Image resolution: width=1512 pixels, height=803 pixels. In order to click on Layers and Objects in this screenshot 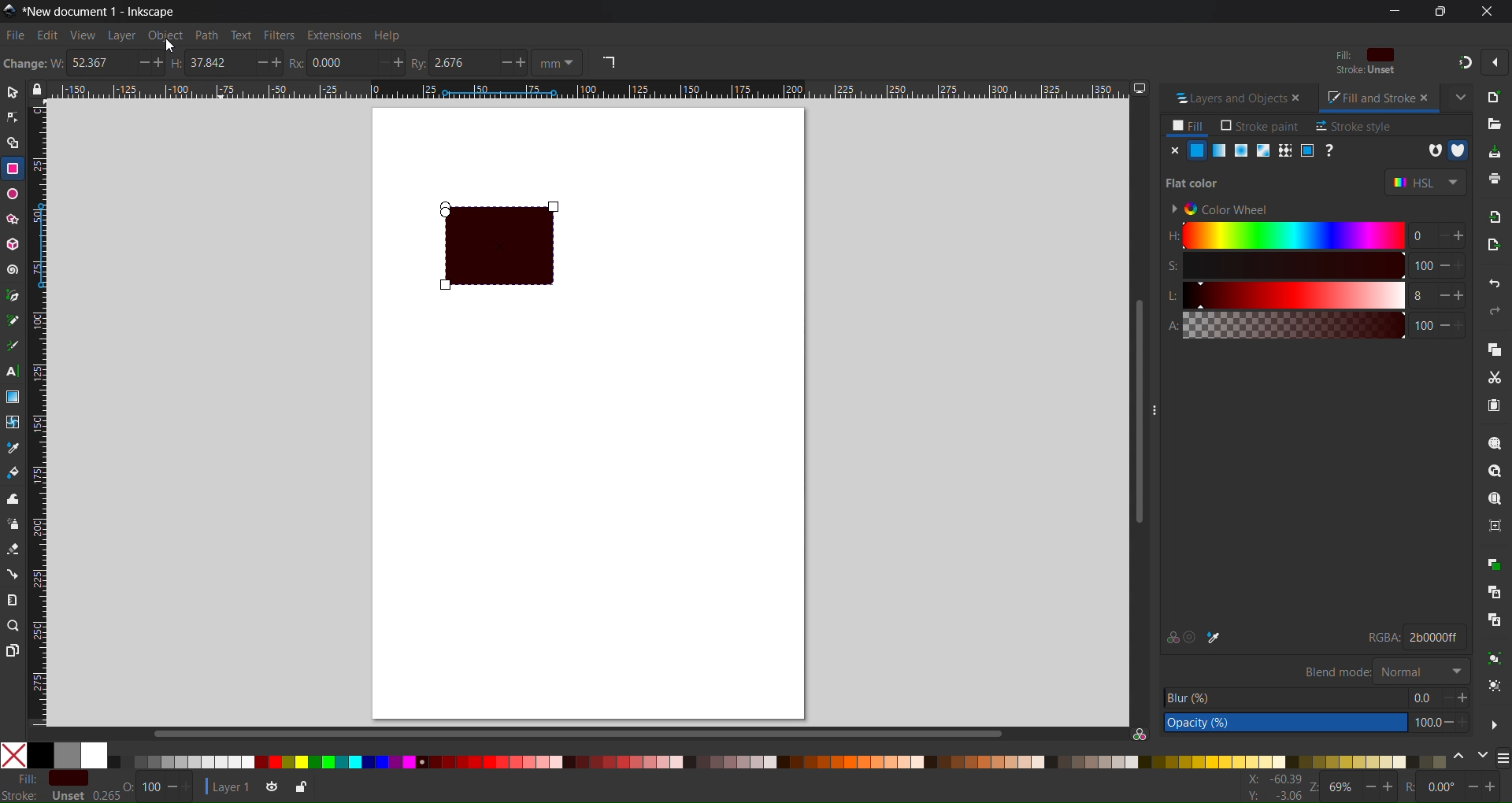, I will do `click(1225, 98)`.